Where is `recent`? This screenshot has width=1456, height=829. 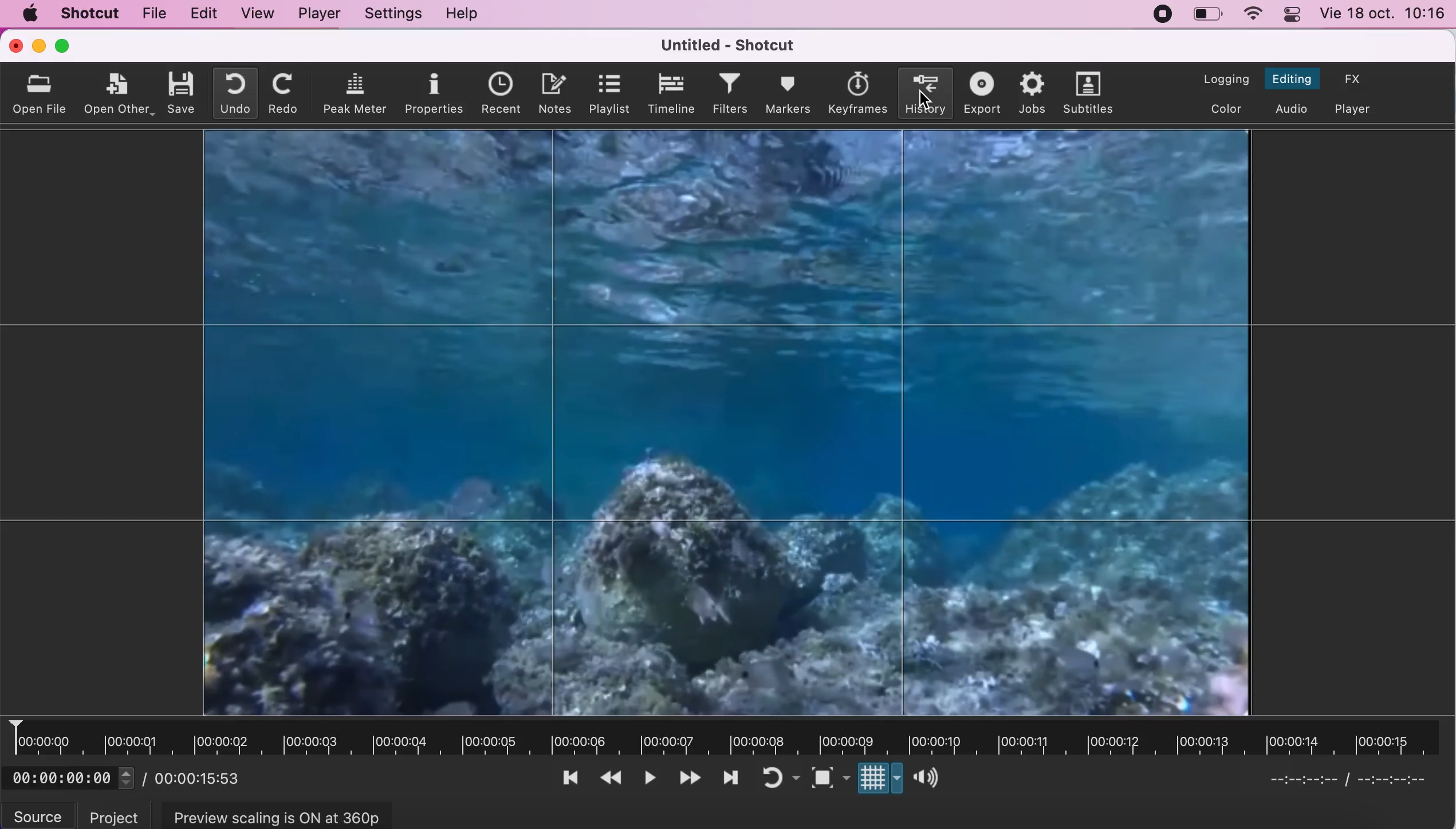 recent is located at coordinates (498, 93).